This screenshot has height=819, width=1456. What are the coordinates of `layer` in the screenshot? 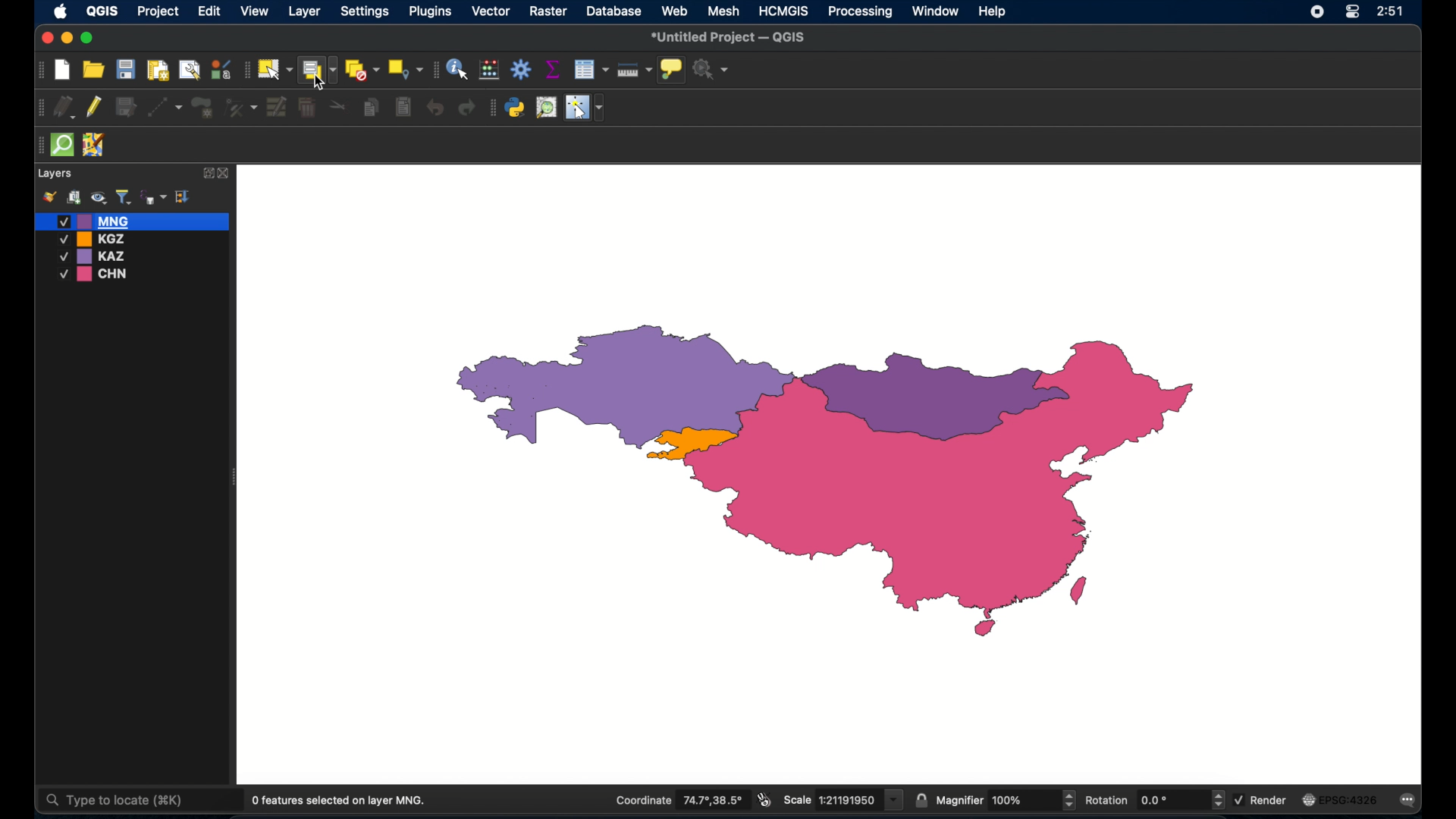 It's located at (303, 11).